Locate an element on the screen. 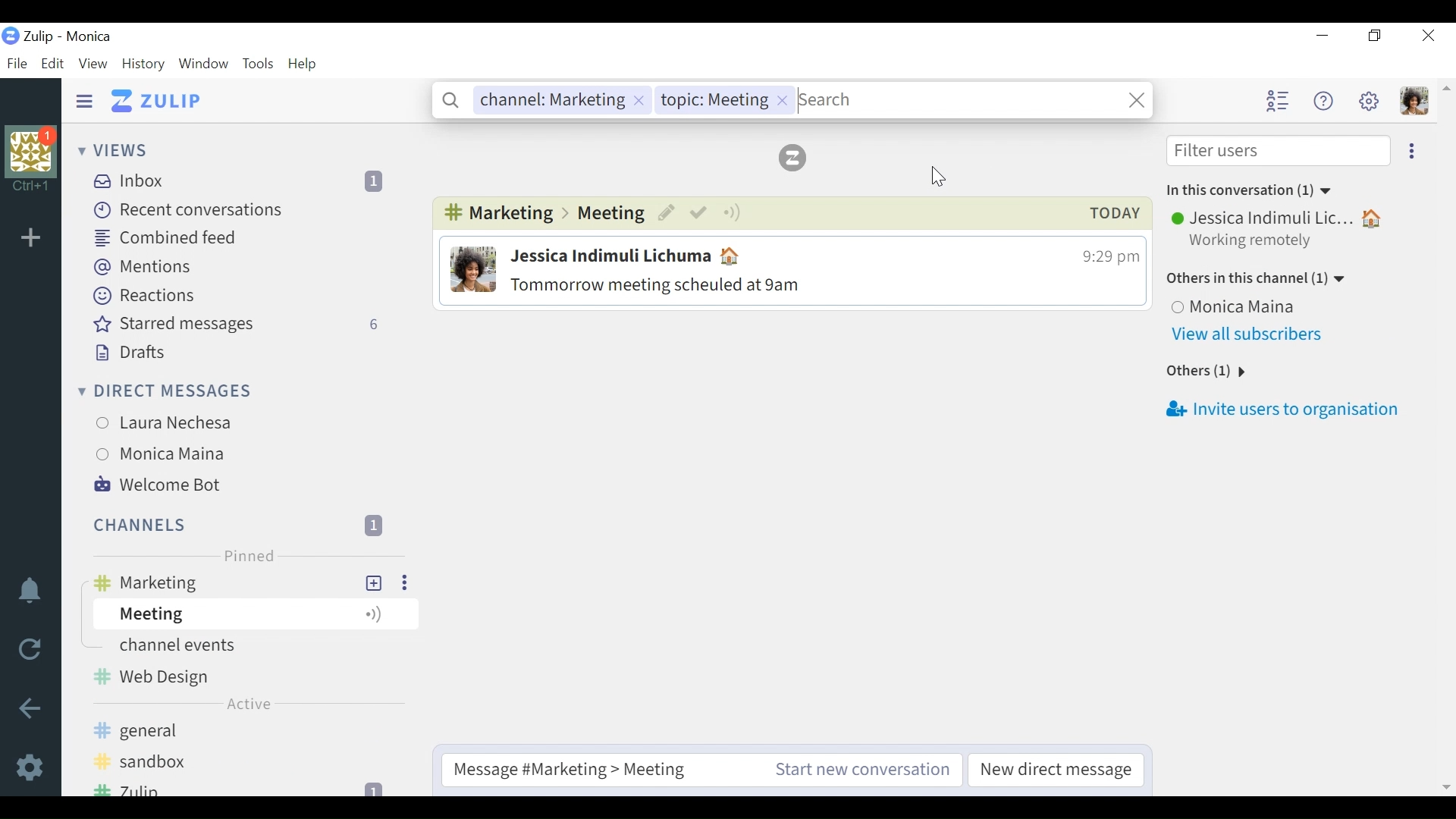  Back is located at coordinates (28, 706).